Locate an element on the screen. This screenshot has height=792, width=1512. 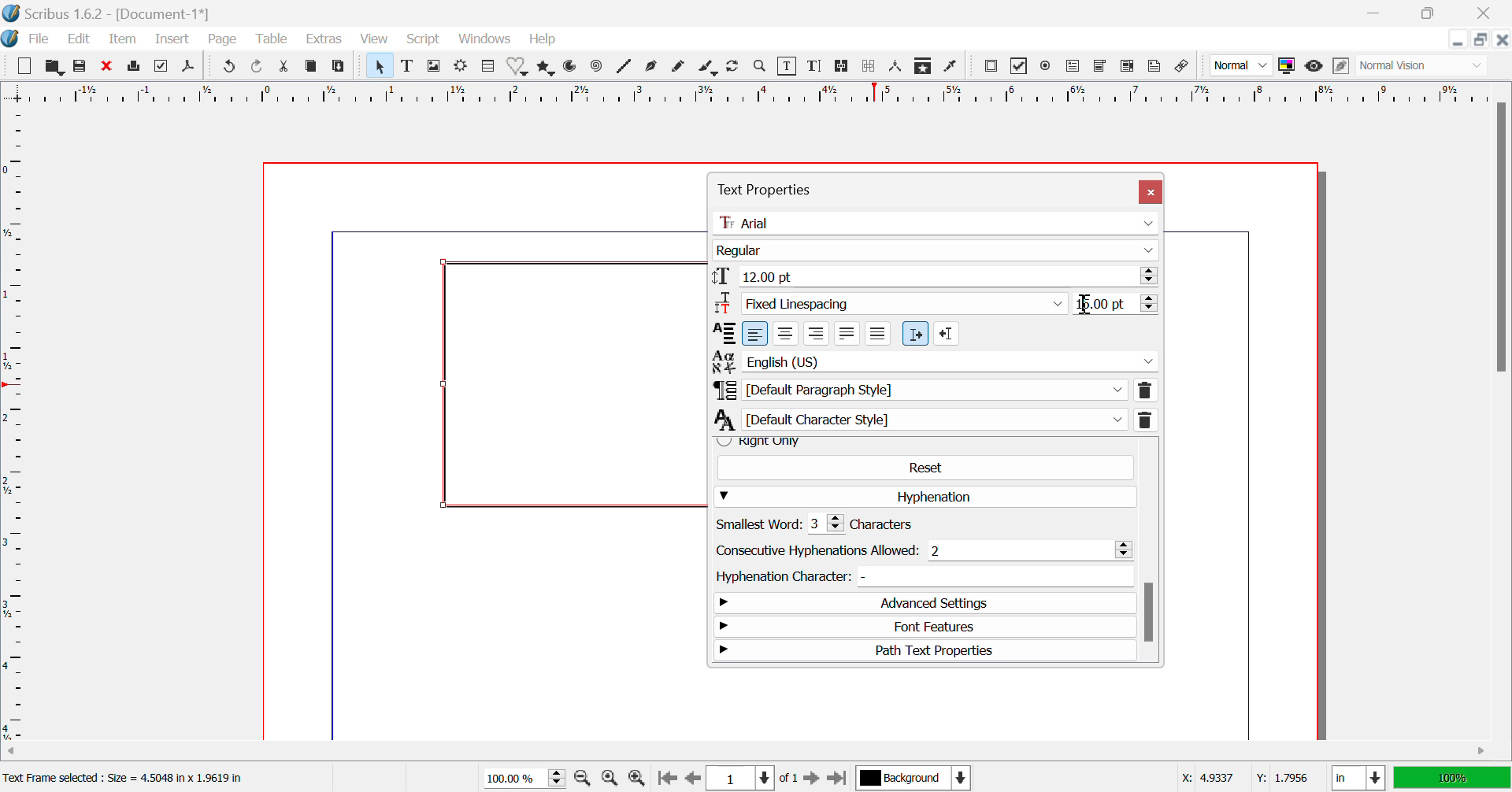
Zoom Out is located at coordinates (584, 779).